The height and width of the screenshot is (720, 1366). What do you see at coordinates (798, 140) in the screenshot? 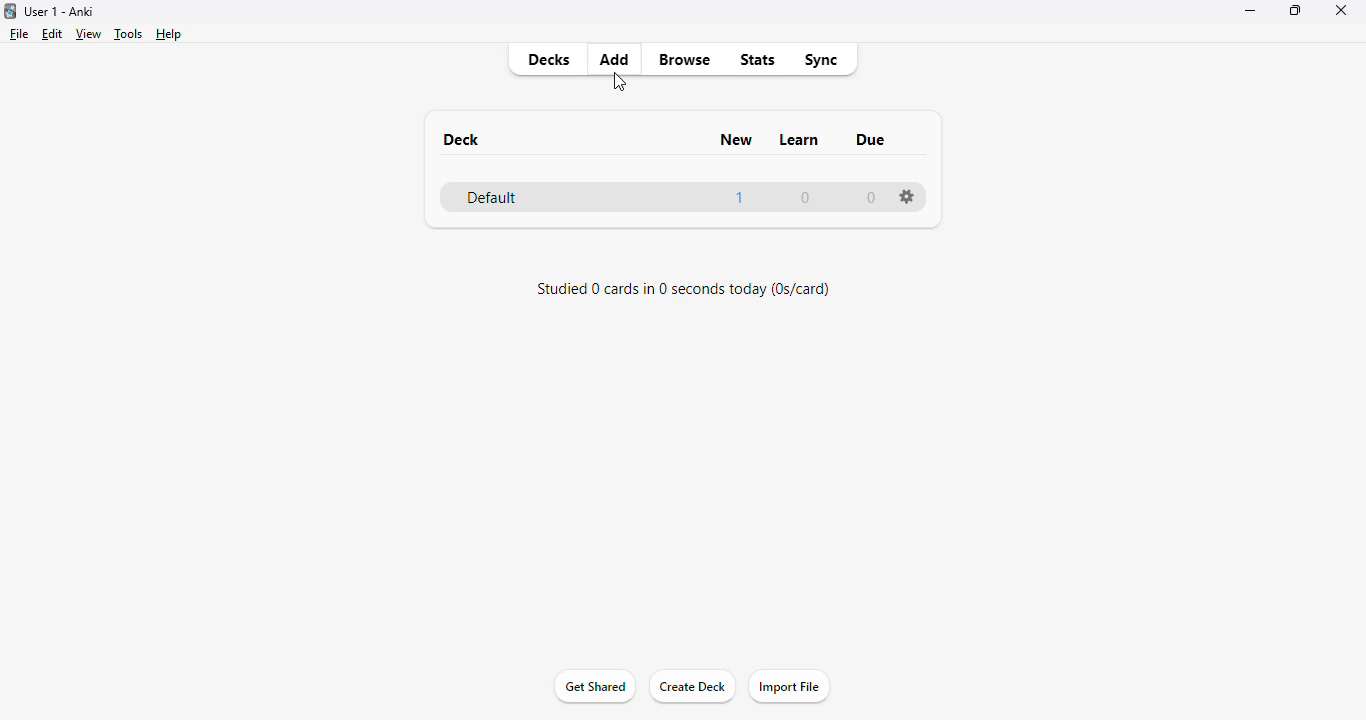
I see `learn` at bounding box center [798, 140].